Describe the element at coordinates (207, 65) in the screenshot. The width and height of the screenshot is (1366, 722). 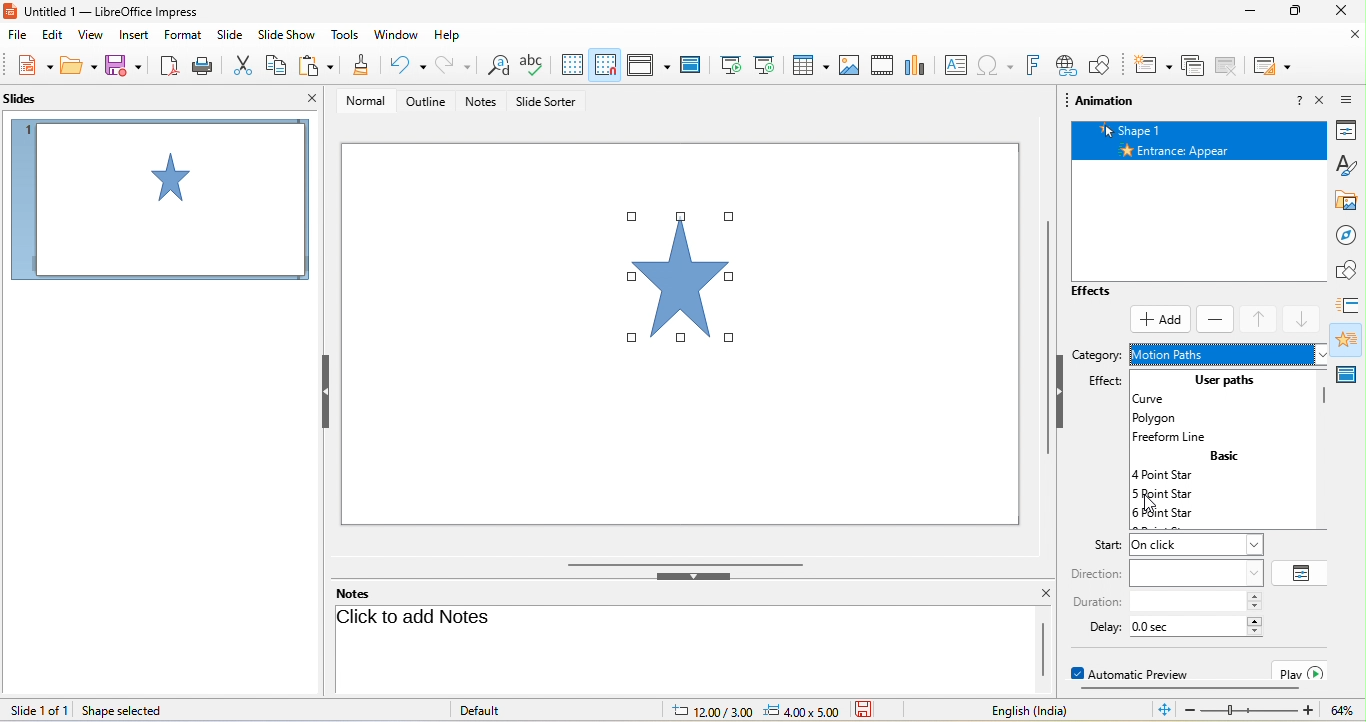
I see `print` at that location.